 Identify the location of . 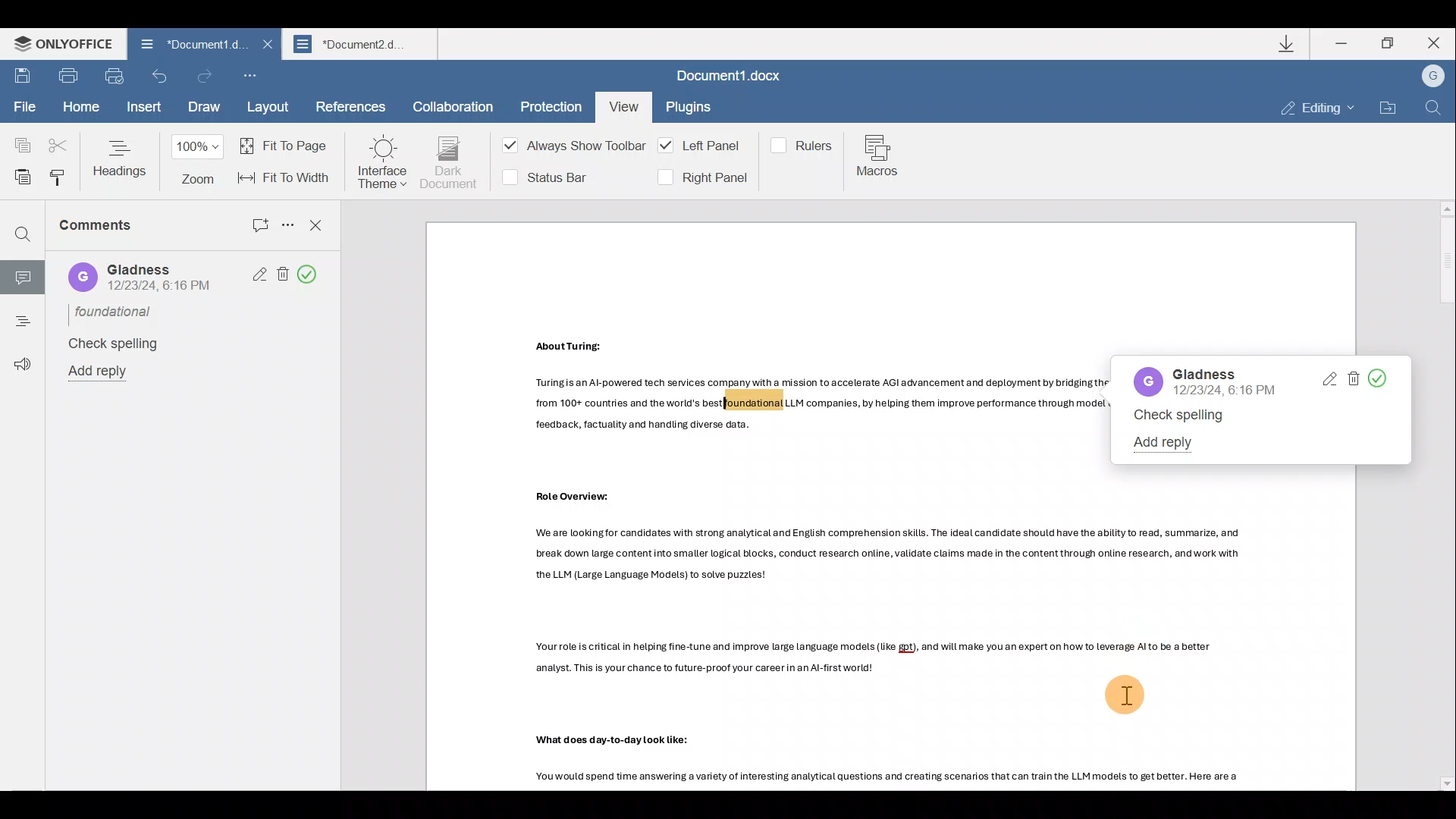
(581, 497).